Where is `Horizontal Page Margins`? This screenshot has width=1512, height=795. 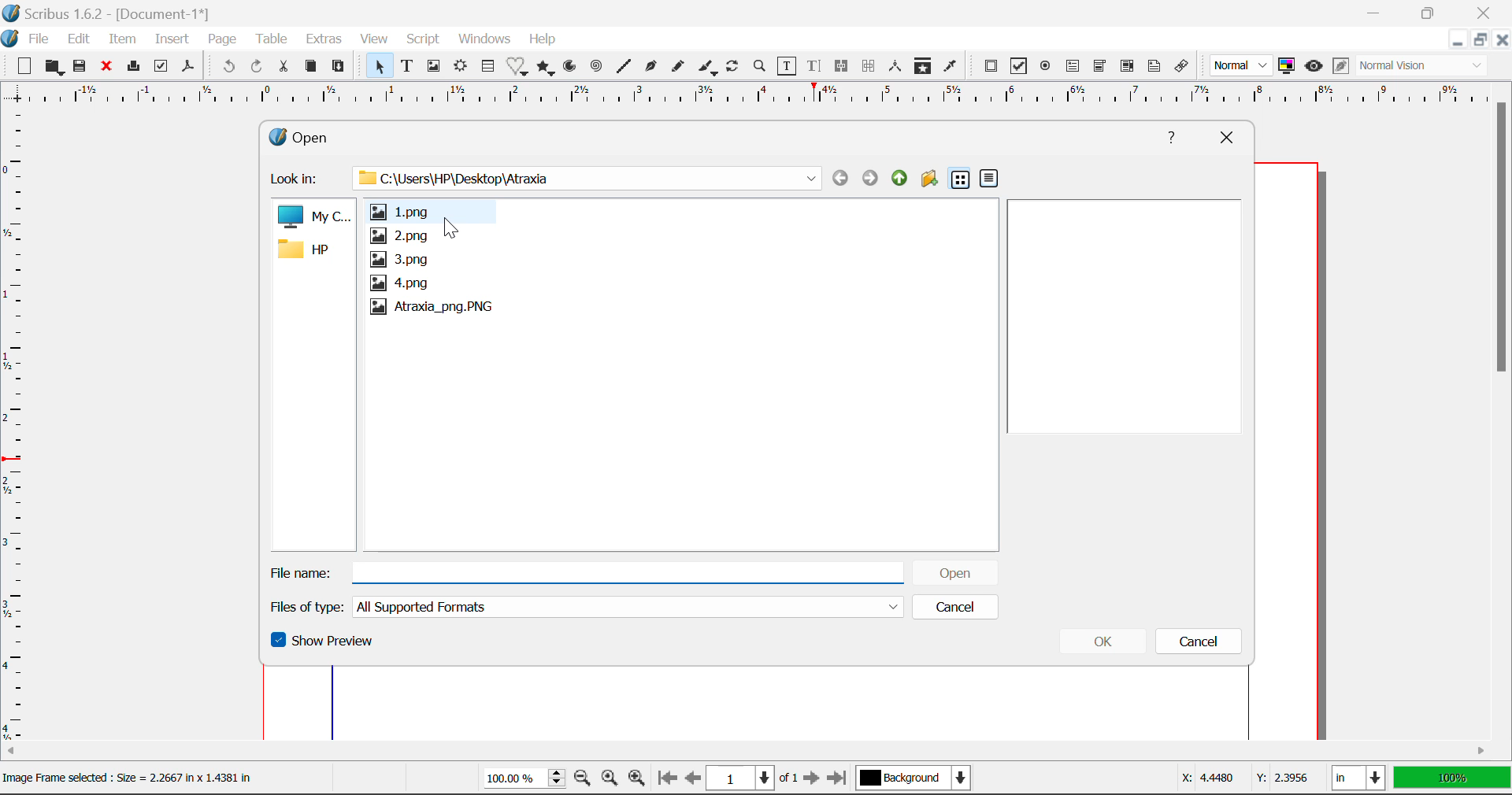 Horizontal Page Margins is located at coordinates (14, 427).